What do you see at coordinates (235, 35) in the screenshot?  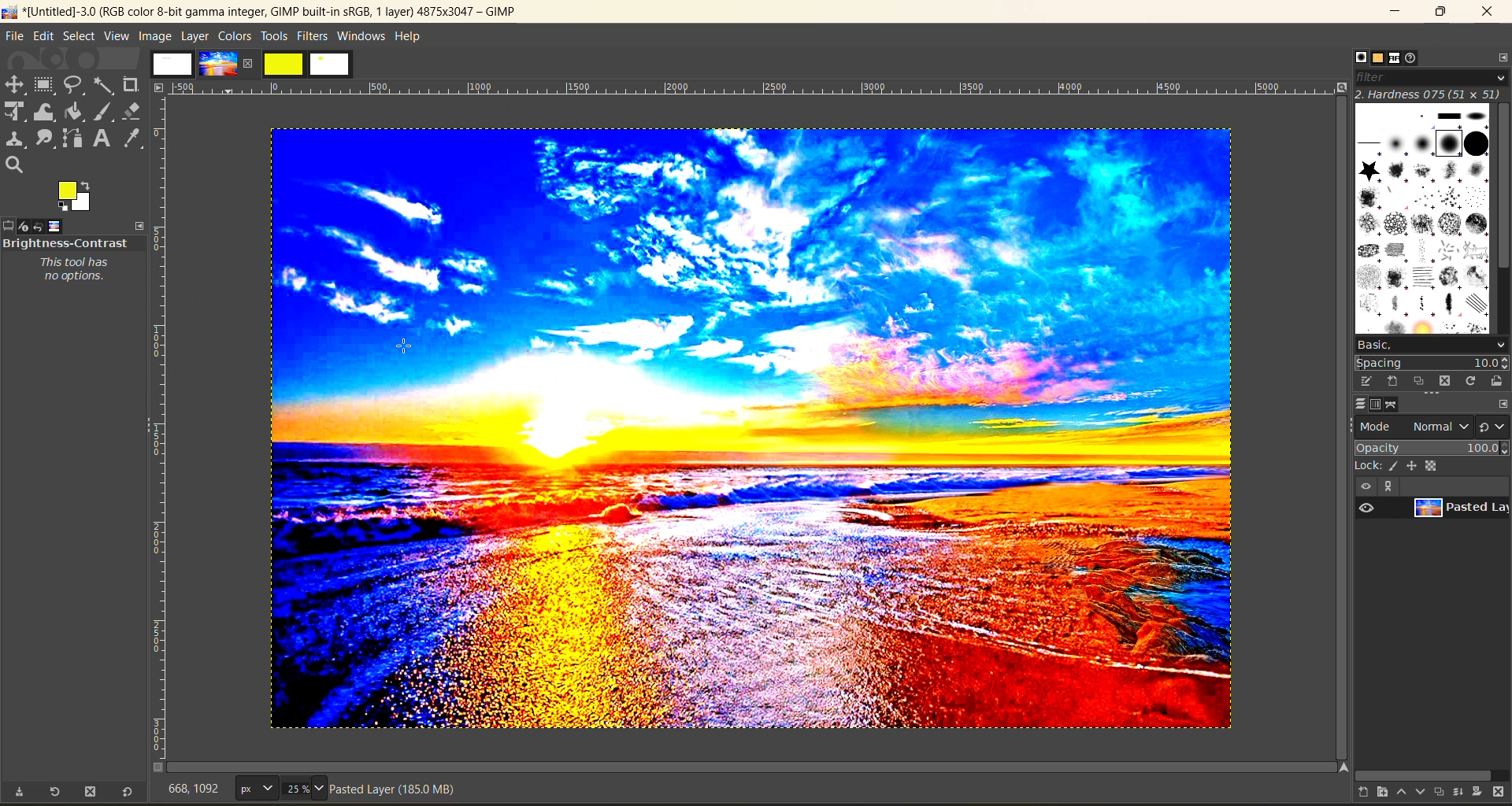 I see `colors` at bounding box center [235, 35].